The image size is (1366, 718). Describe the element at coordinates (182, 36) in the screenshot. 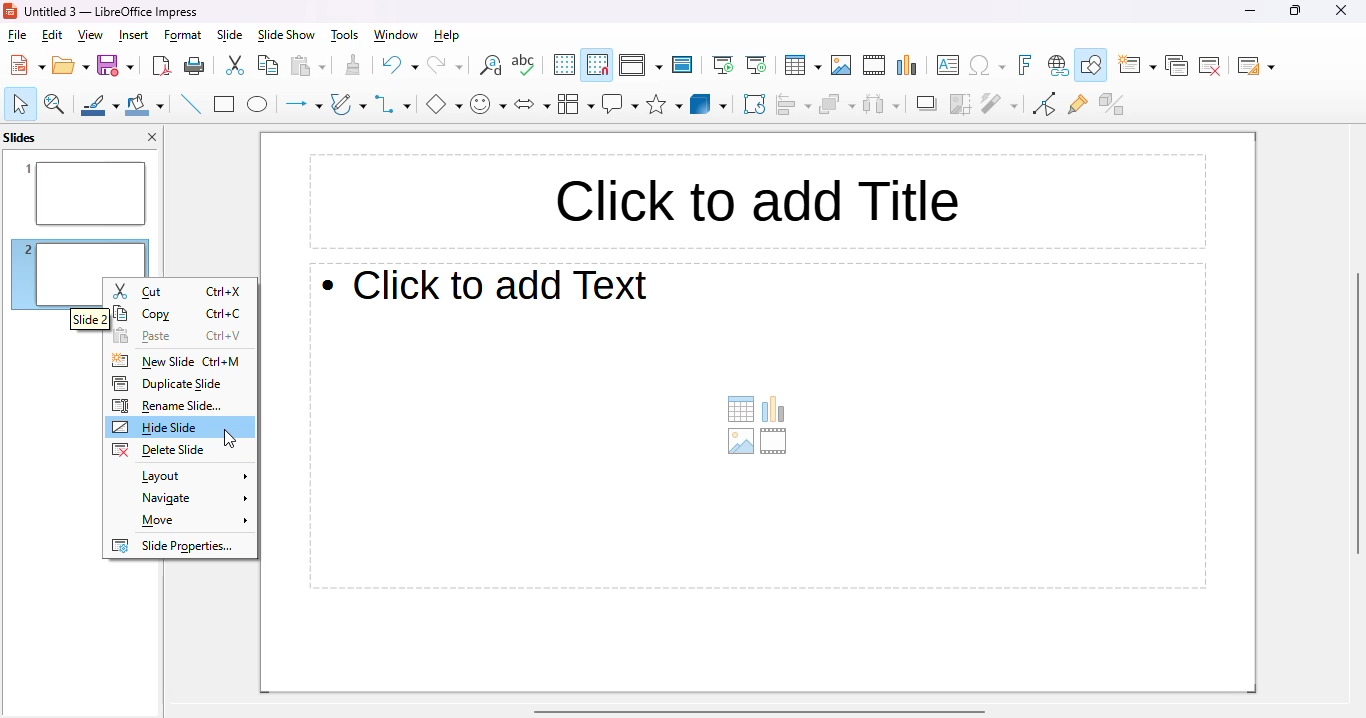

I see `format` at that location.